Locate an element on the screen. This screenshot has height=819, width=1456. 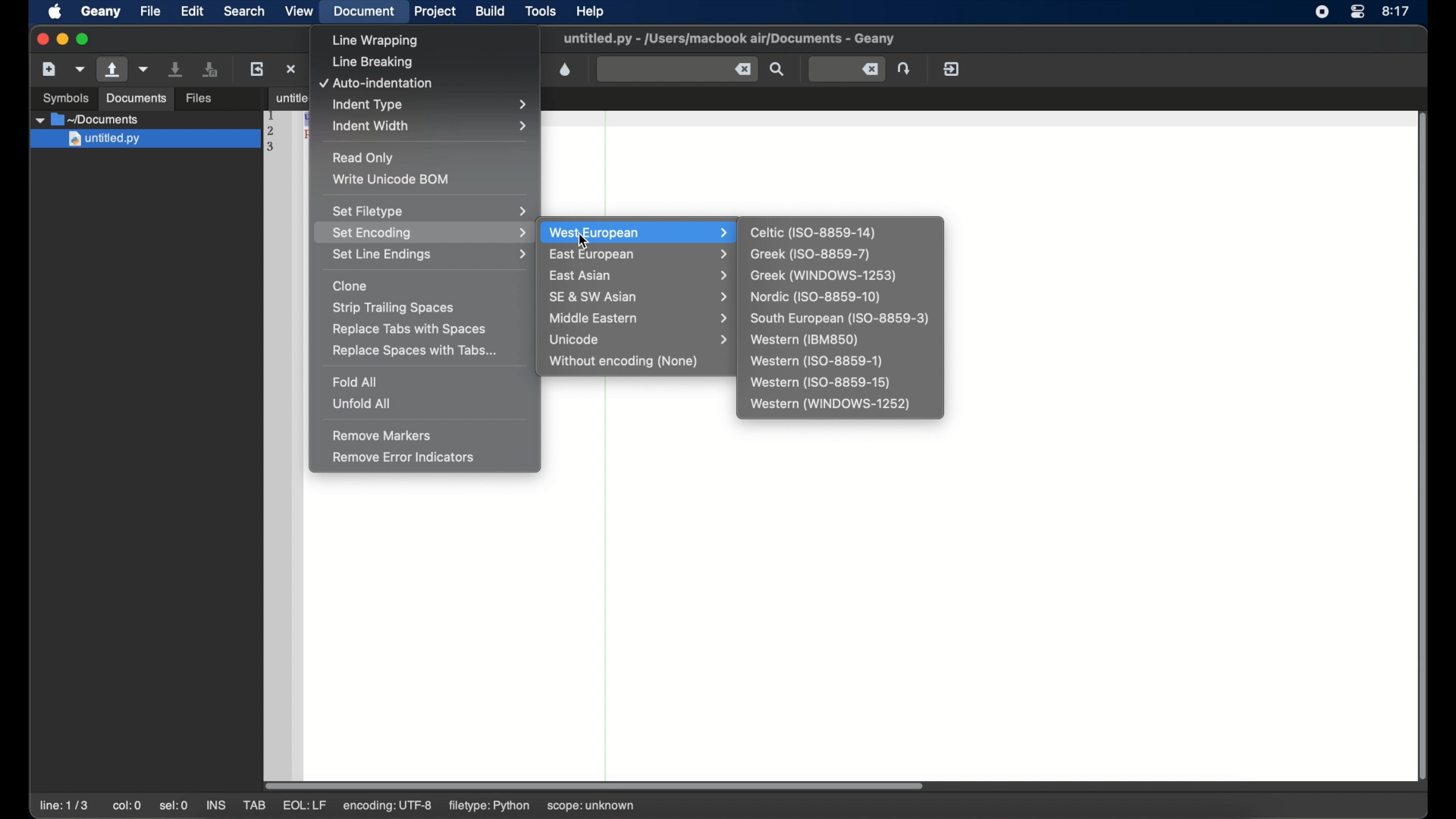
project is located at coordinates (435, 11).